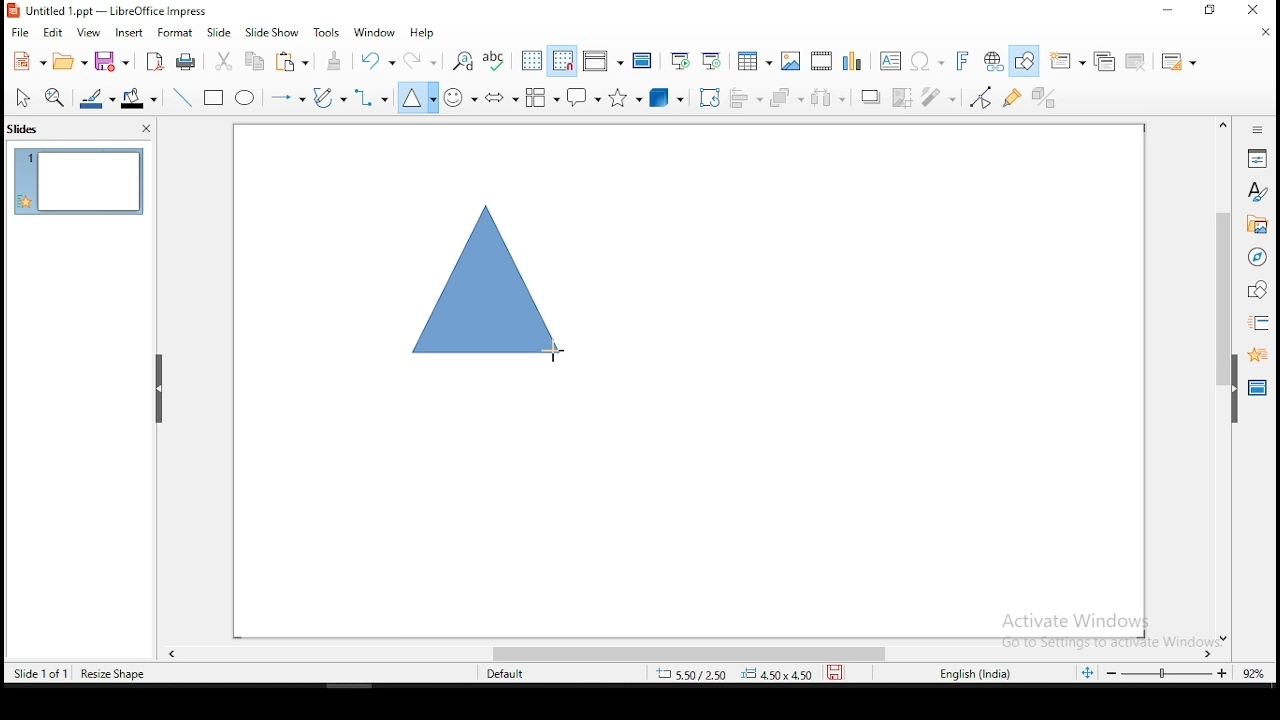 This screenshot has height=720, width=1280. I want to click on curves and polygons, so click(329, 99).